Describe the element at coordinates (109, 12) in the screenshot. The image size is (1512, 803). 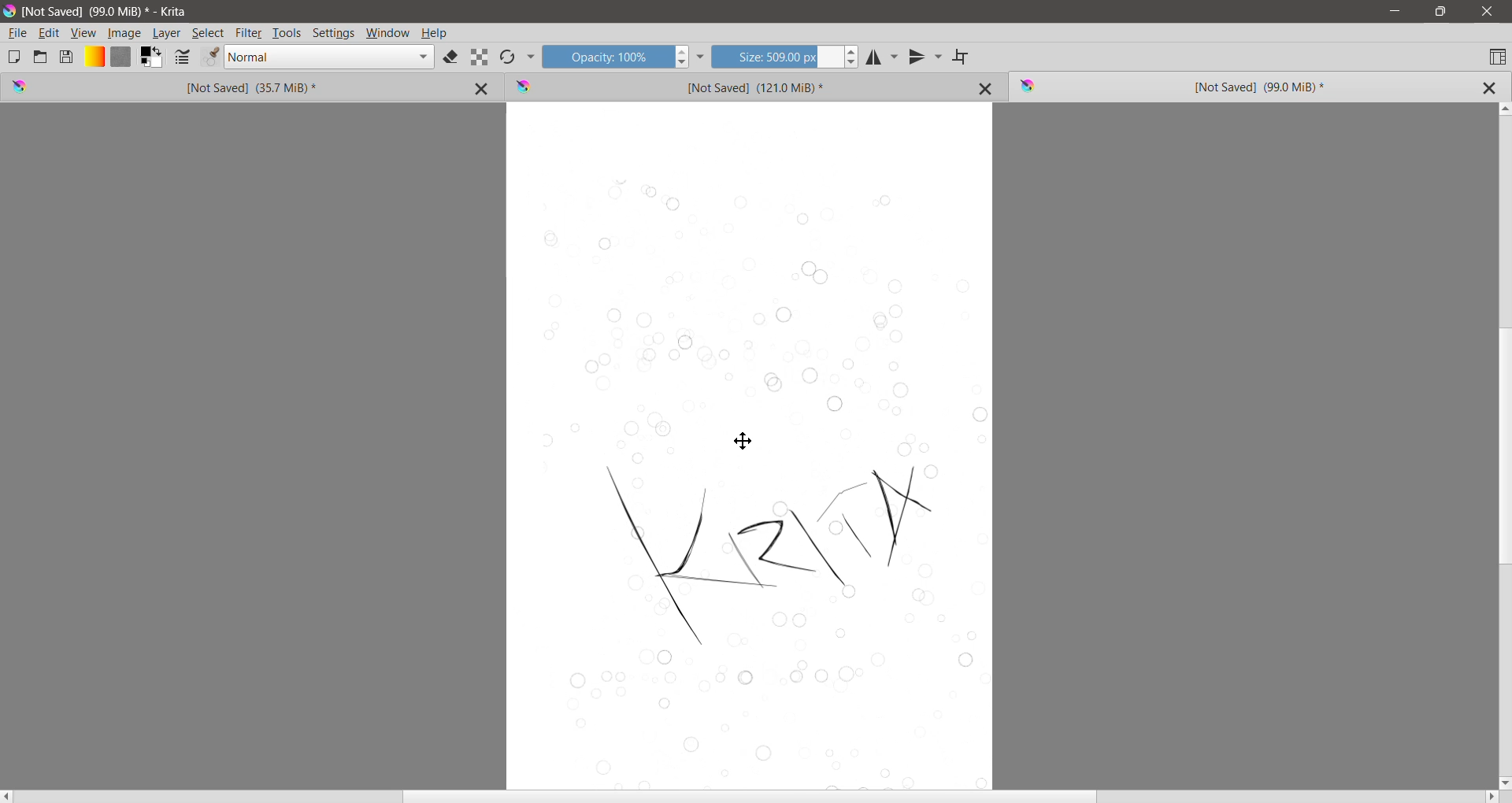
I see `Fie Title, Size - Application Name` at that location.